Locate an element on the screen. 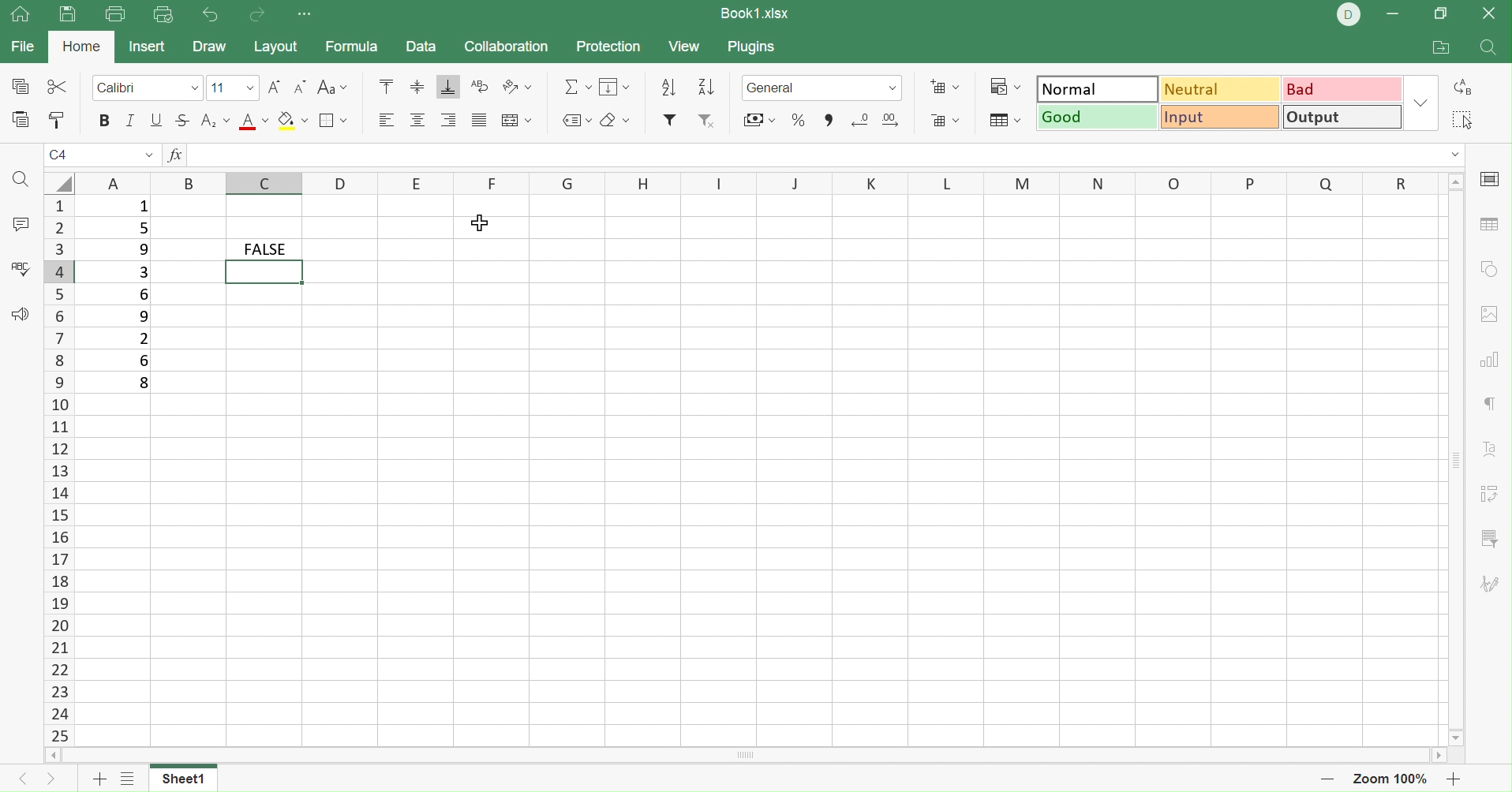 Image resolution: width=1512 pixels, height=792 pixels. Cursor is located at coordinates (483, 221).